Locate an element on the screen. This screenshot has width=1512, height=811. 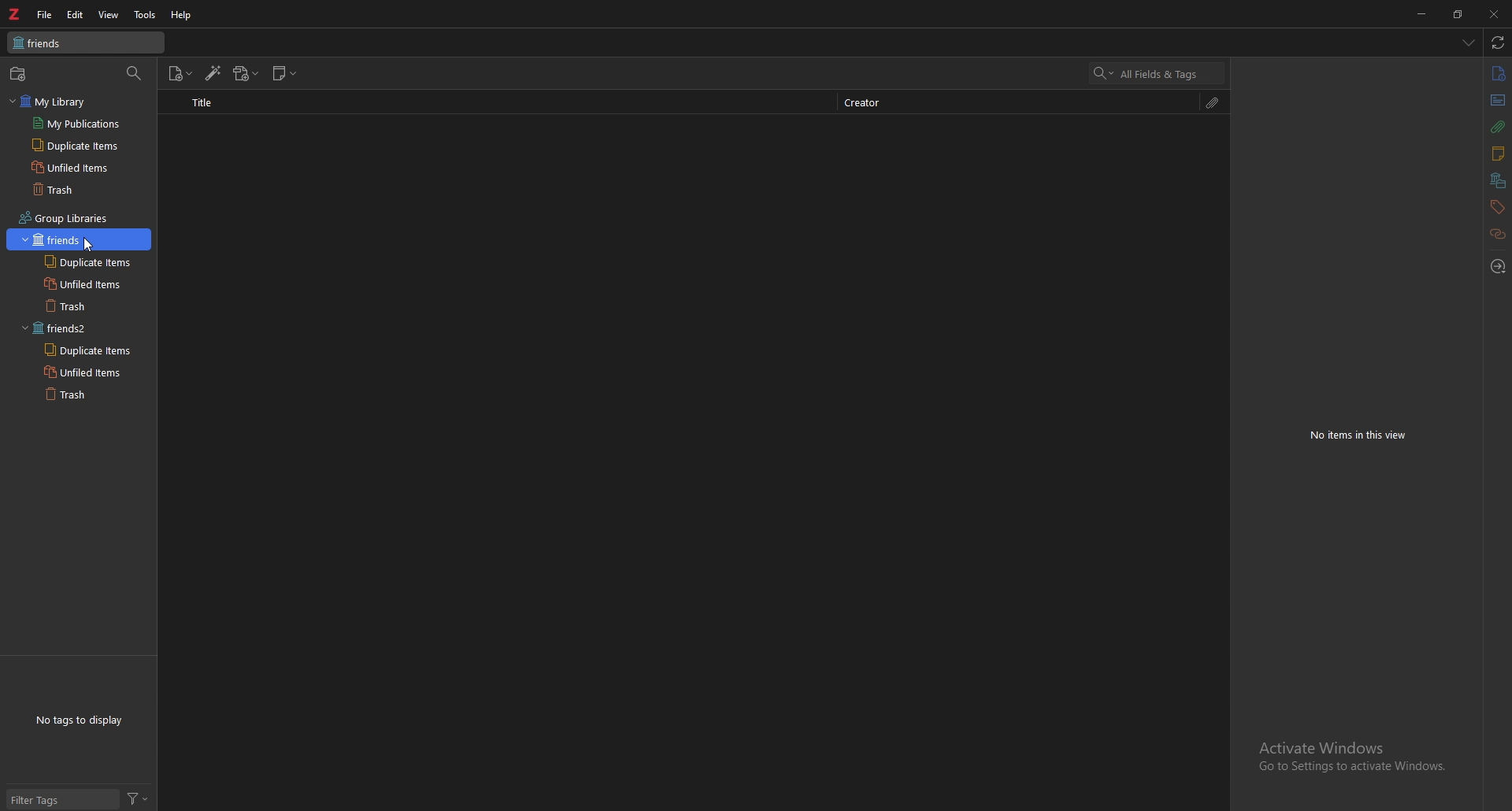
info is located at coordinates (1499, 72).